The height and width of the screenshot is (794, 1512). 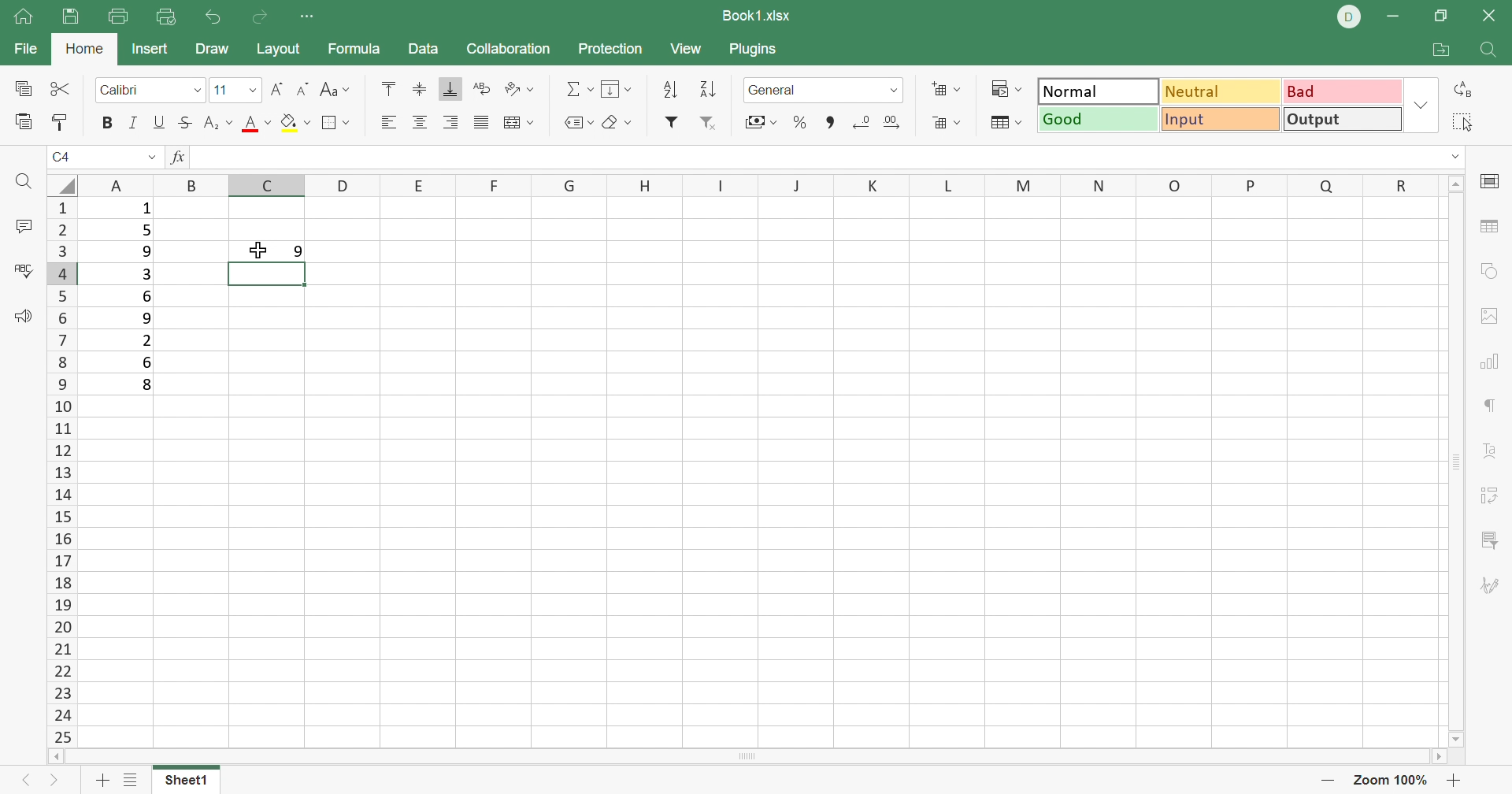 What do you see at coordinates (147, 254) in the screenshot?
I see `9` at bounding box center [147, 254].